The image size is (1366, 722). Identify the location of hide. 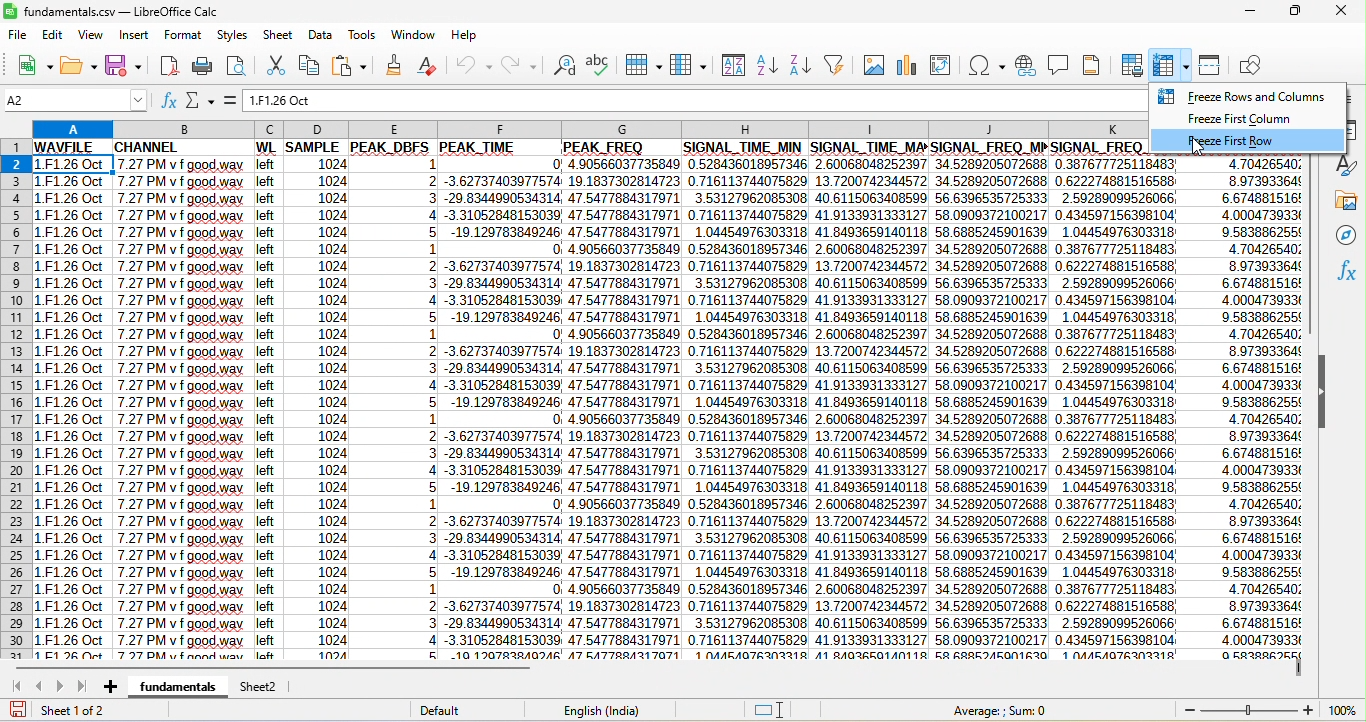
(1322, 394).